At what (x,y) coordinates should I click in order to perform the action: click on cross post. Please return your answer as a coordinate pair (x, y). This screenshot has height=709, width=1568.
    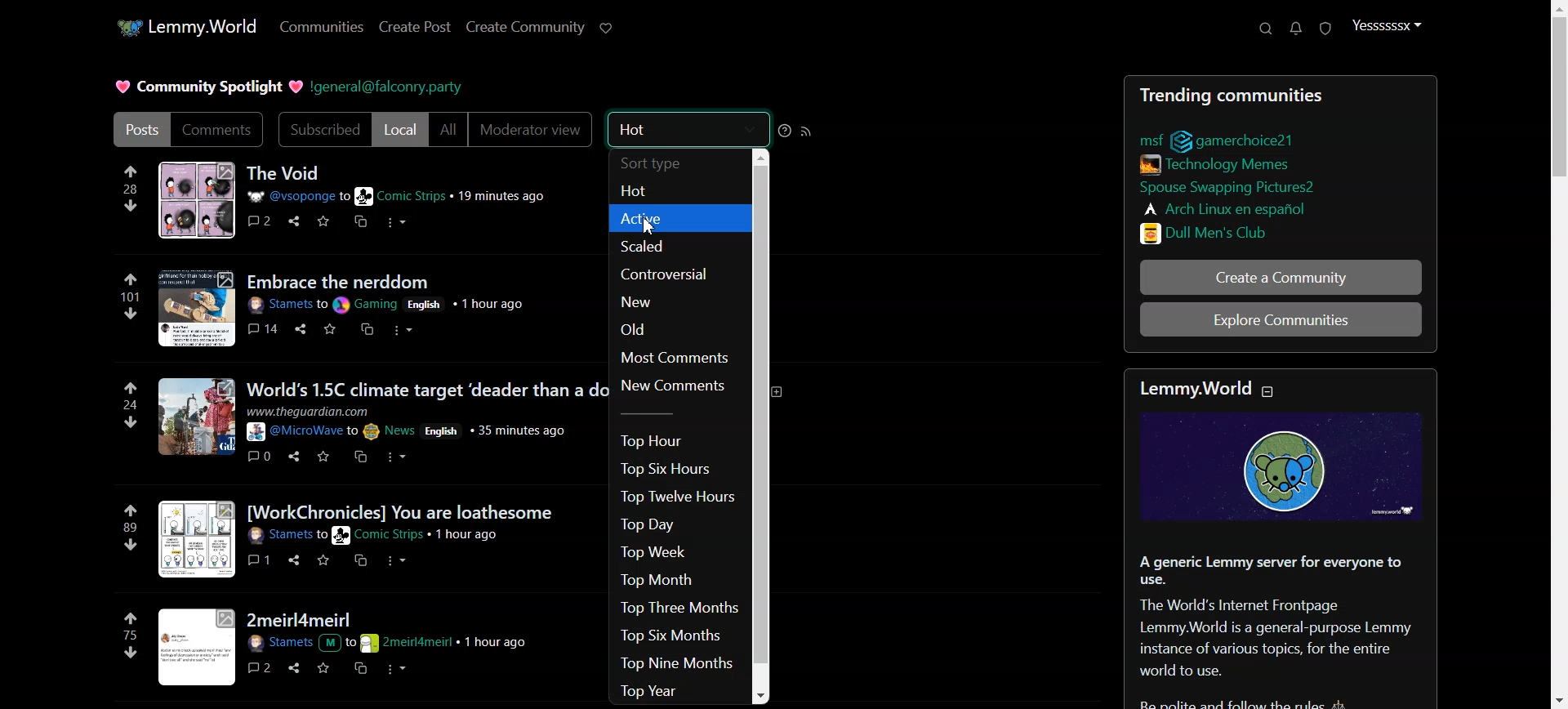
    Looking at the image, I should click on (355, 668).